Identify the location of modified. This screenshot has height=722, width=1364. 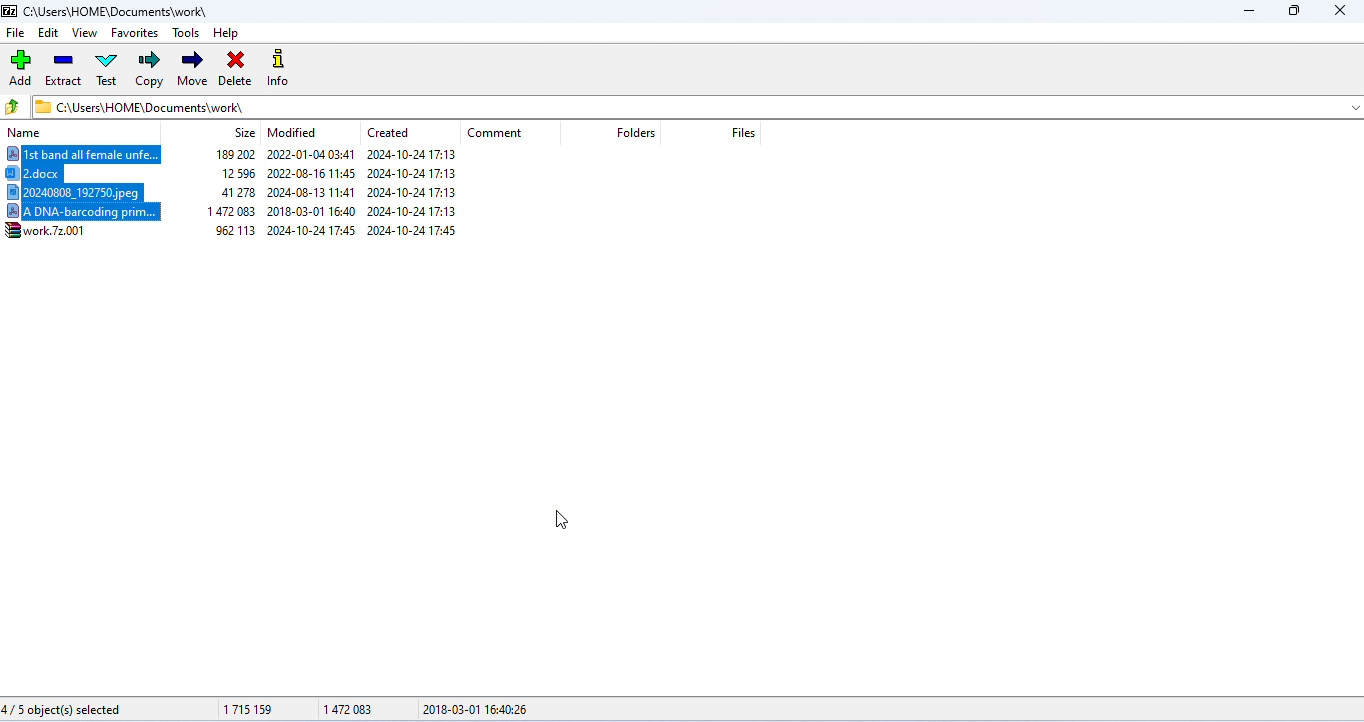
(293, 132).